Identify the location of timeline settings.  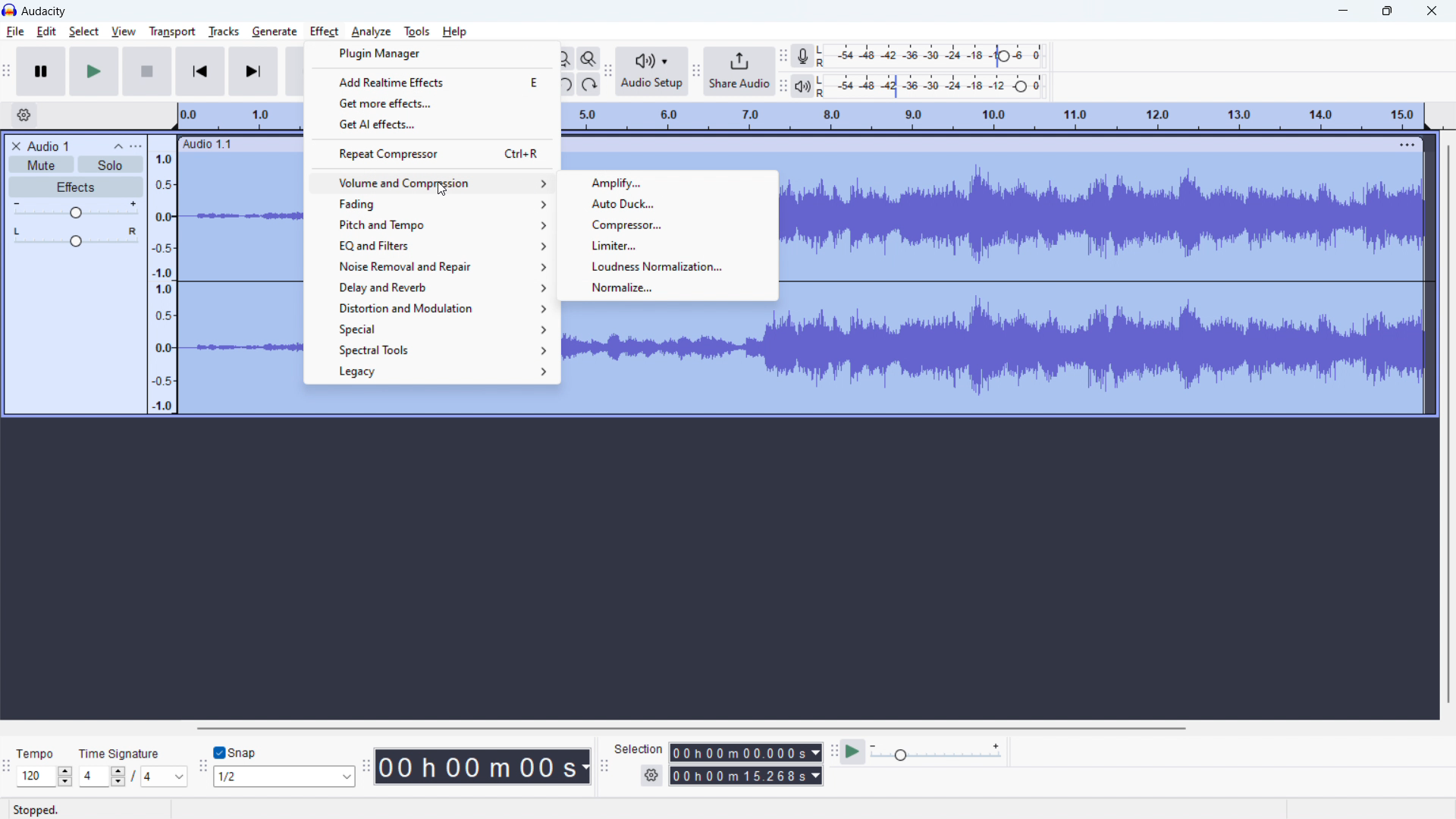
(24, 115).